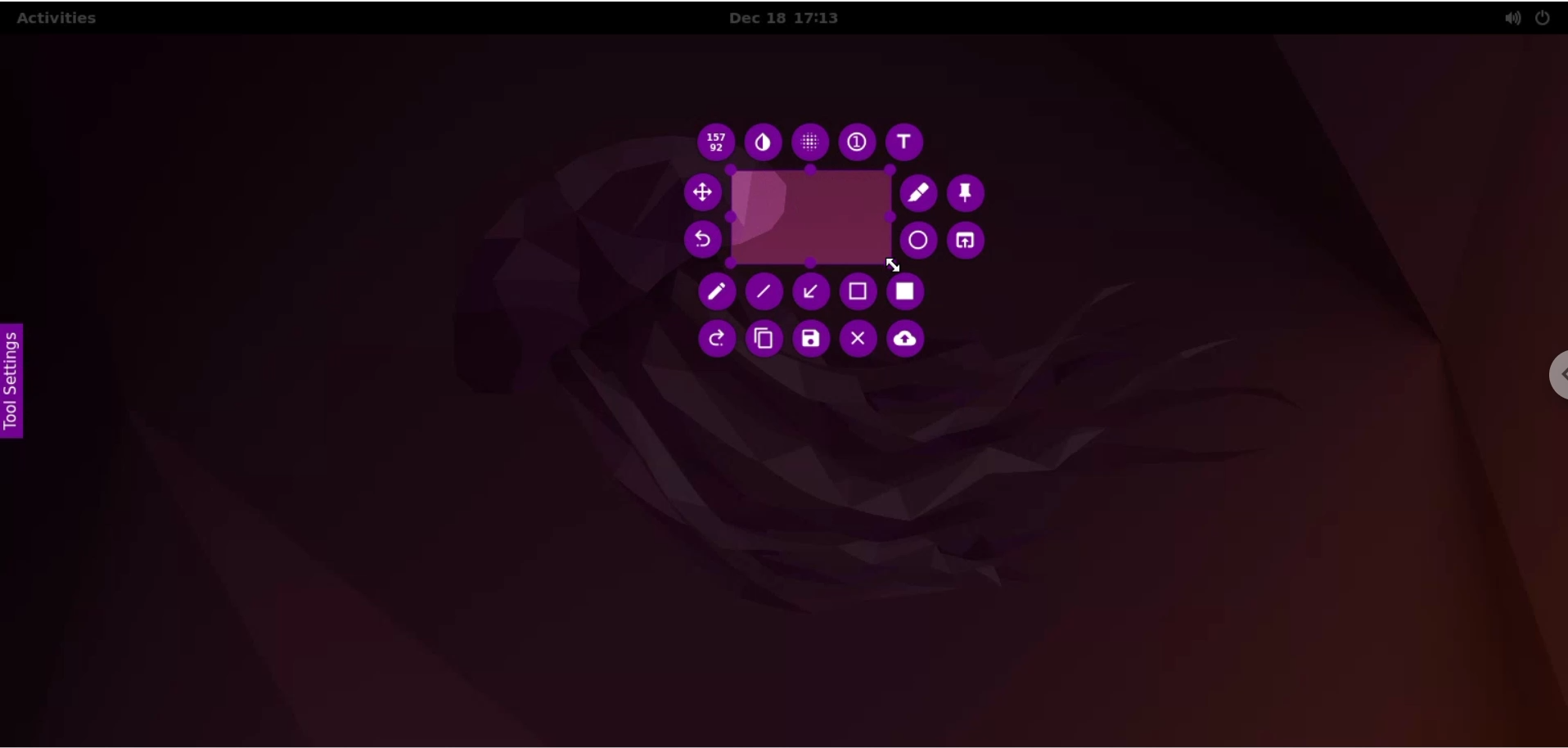 The width and height of the screenshot is (1568, 748). What do you see at coordinates (704, 240) in the screenshot?
I see `redo` at bounding box center [704, 240].